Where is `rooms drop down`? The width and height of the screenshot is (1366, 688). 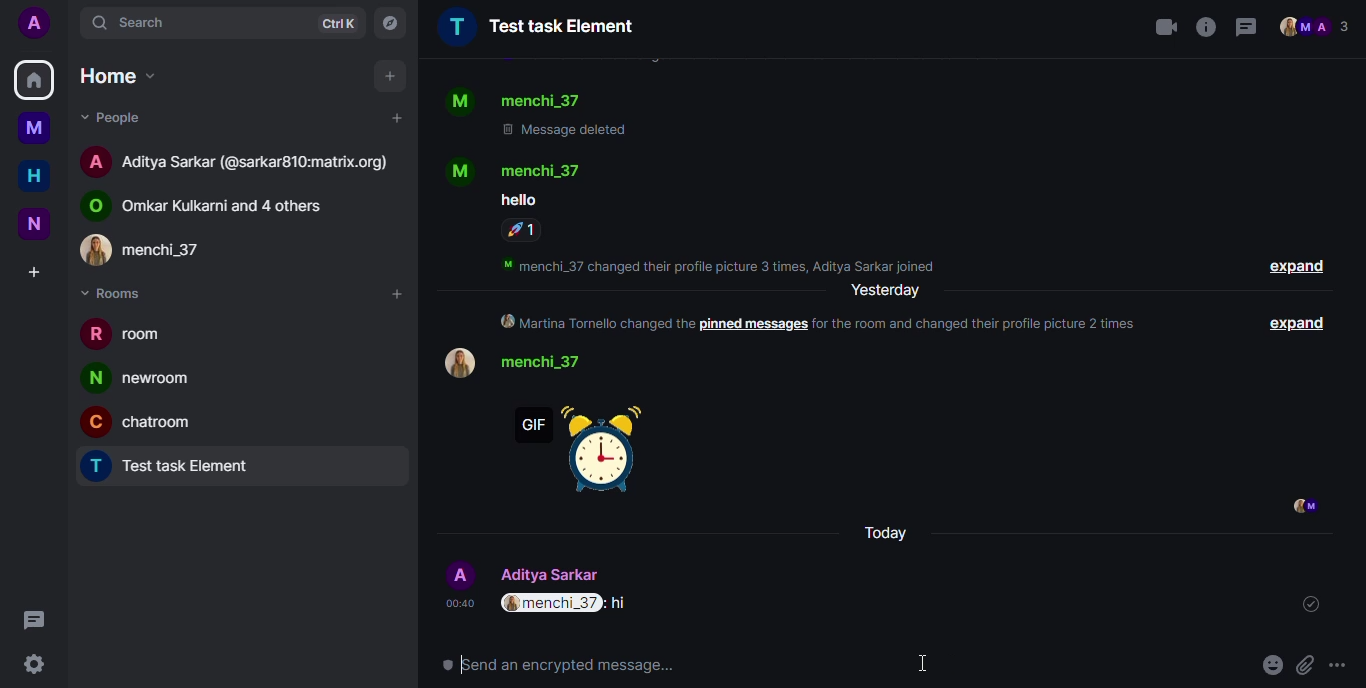 rooms drop down is located at coordinates (119, 293).